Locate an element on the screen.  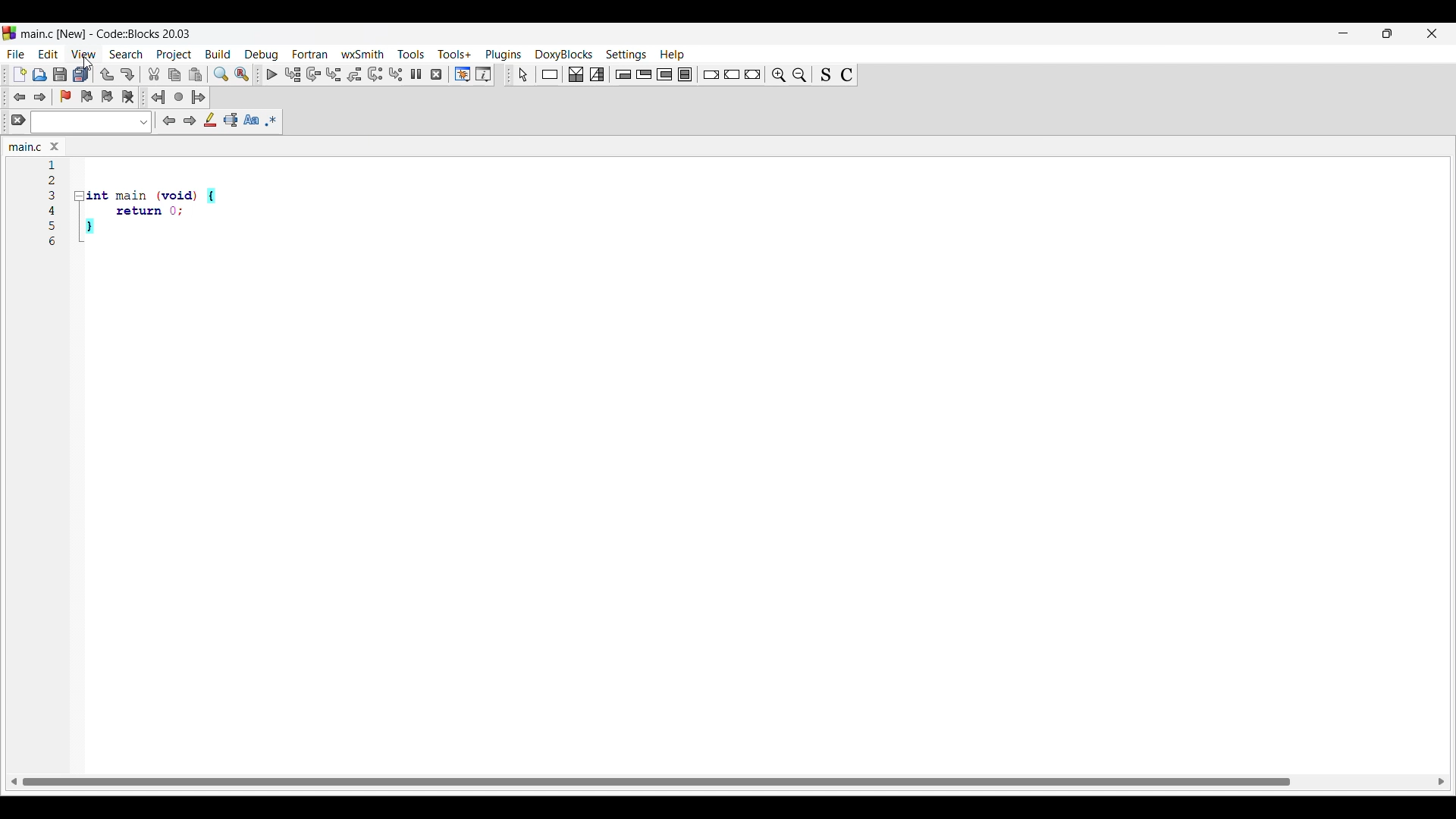
Various info is located at coordinates (483, 74).